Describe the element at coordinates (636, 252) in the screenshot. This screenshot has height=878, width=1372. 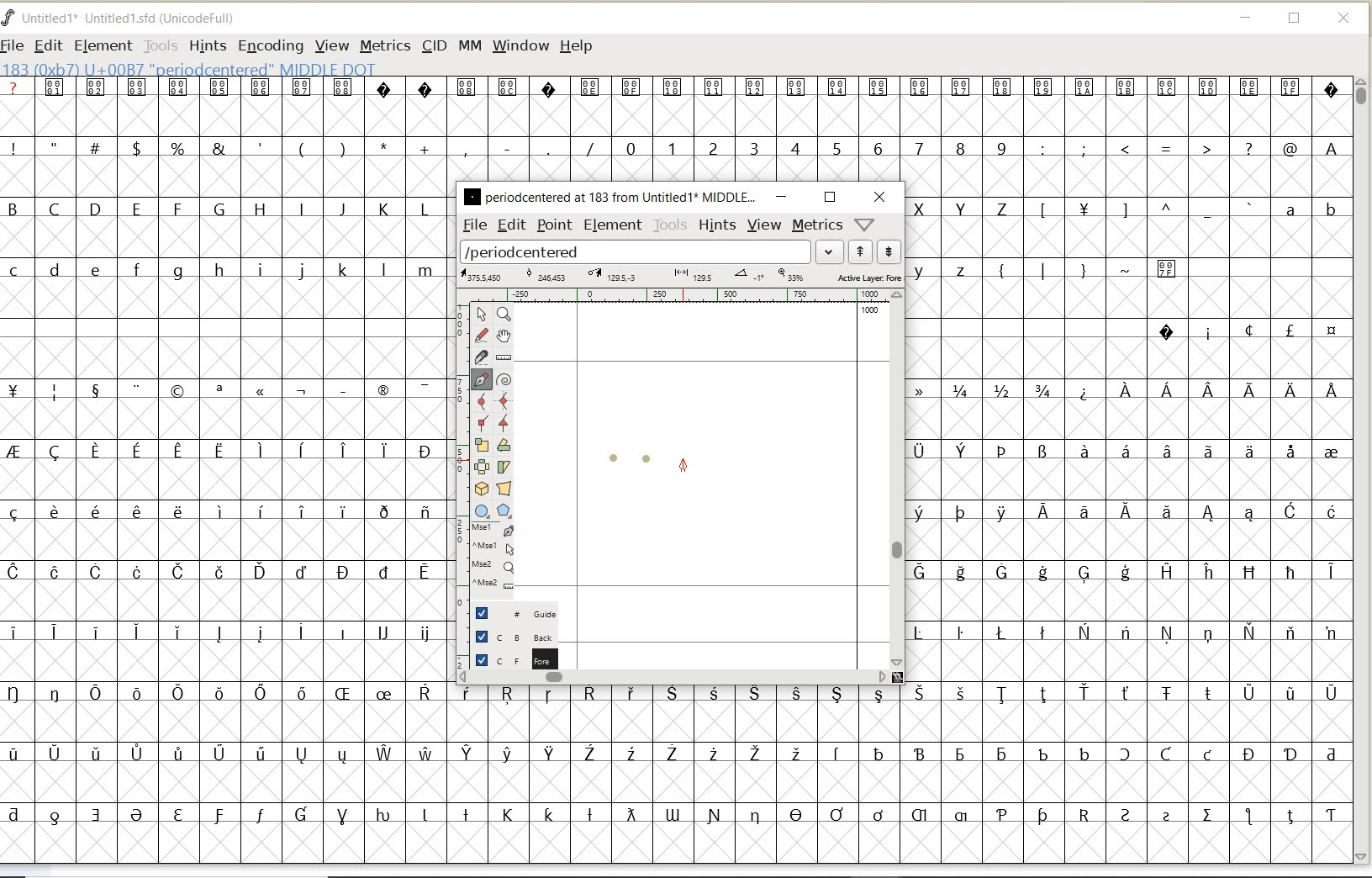
I see `load word list` at that location.